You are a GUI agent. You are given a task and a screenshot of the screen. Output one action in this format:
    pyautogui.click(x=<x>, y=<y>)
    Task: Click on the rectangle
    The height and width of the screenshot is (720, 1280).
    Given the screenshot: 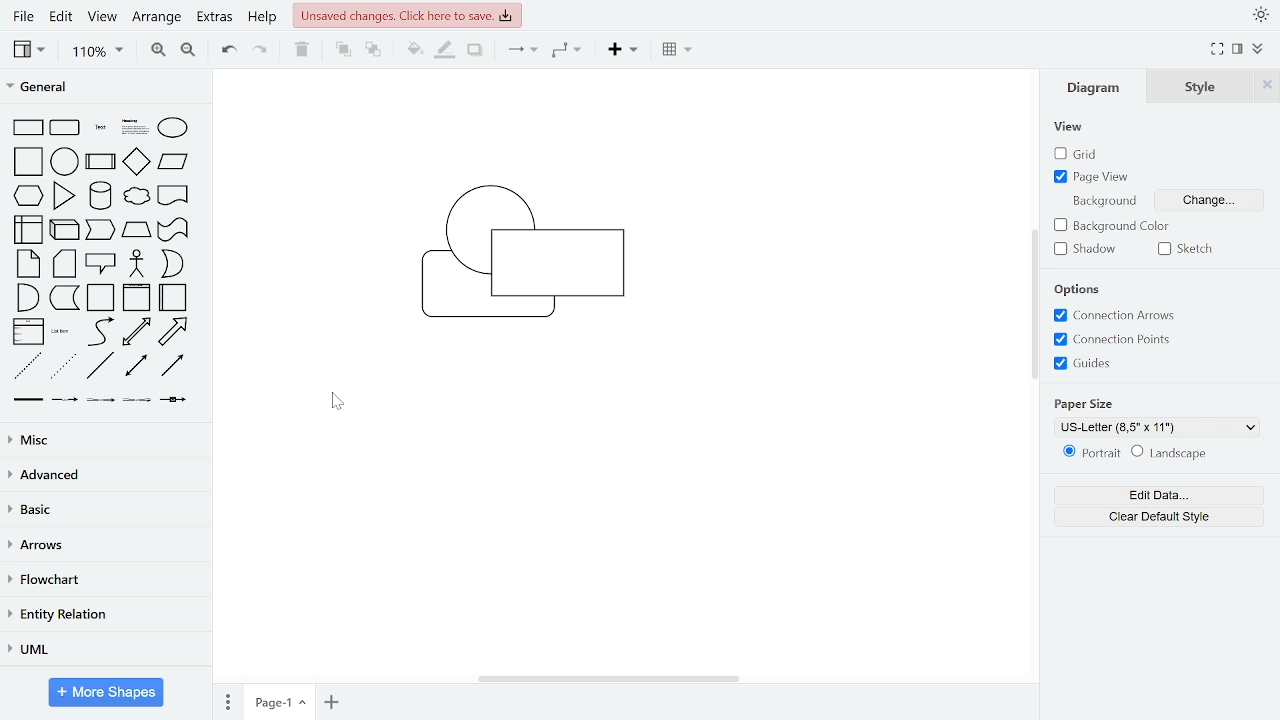 What is the action you would take?
    pyautogui.click(x=27, y=128)
    